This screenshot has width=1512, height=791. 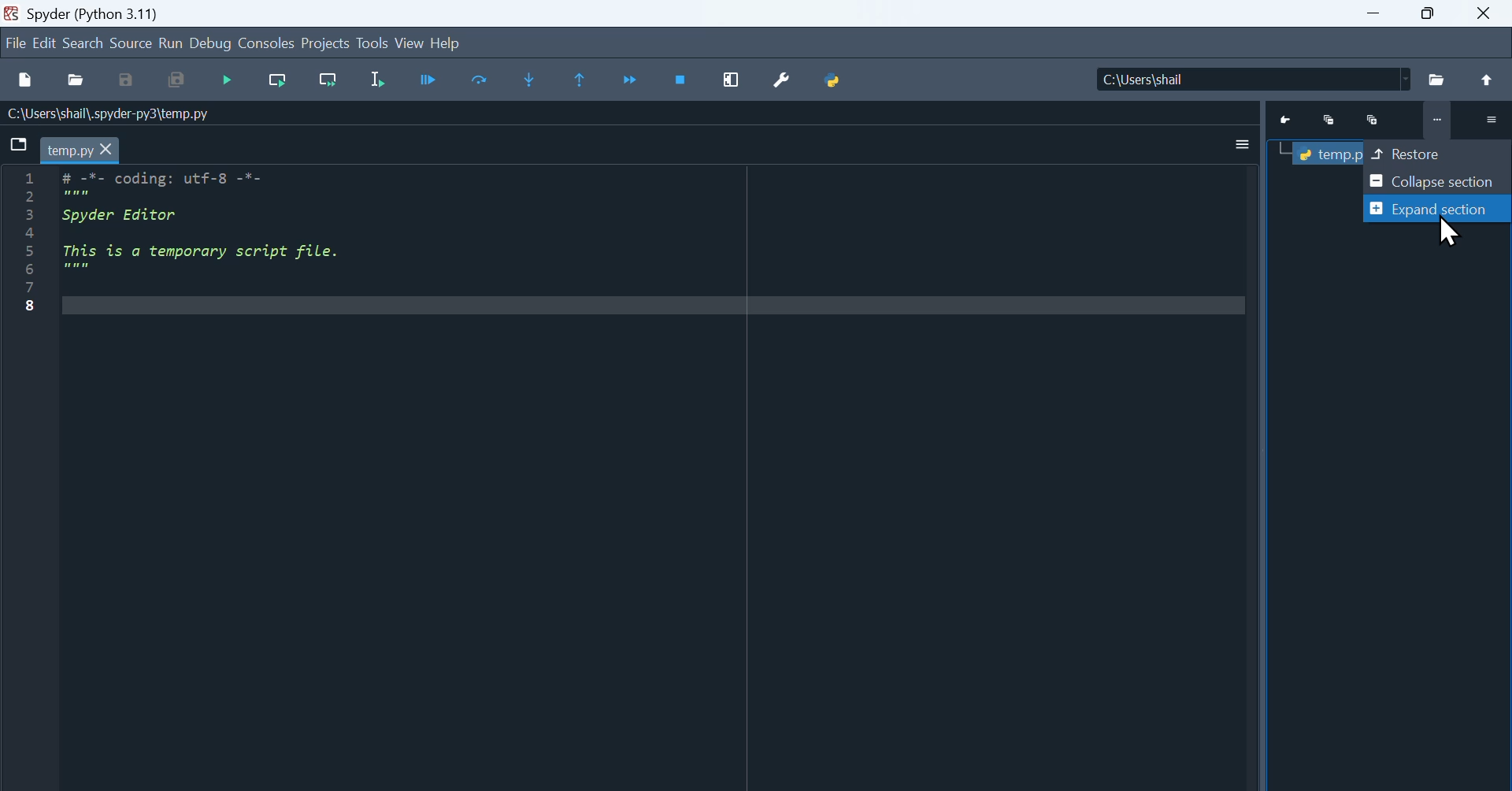 I want to click on Execute until function or method return, so click(x=581, y=81).